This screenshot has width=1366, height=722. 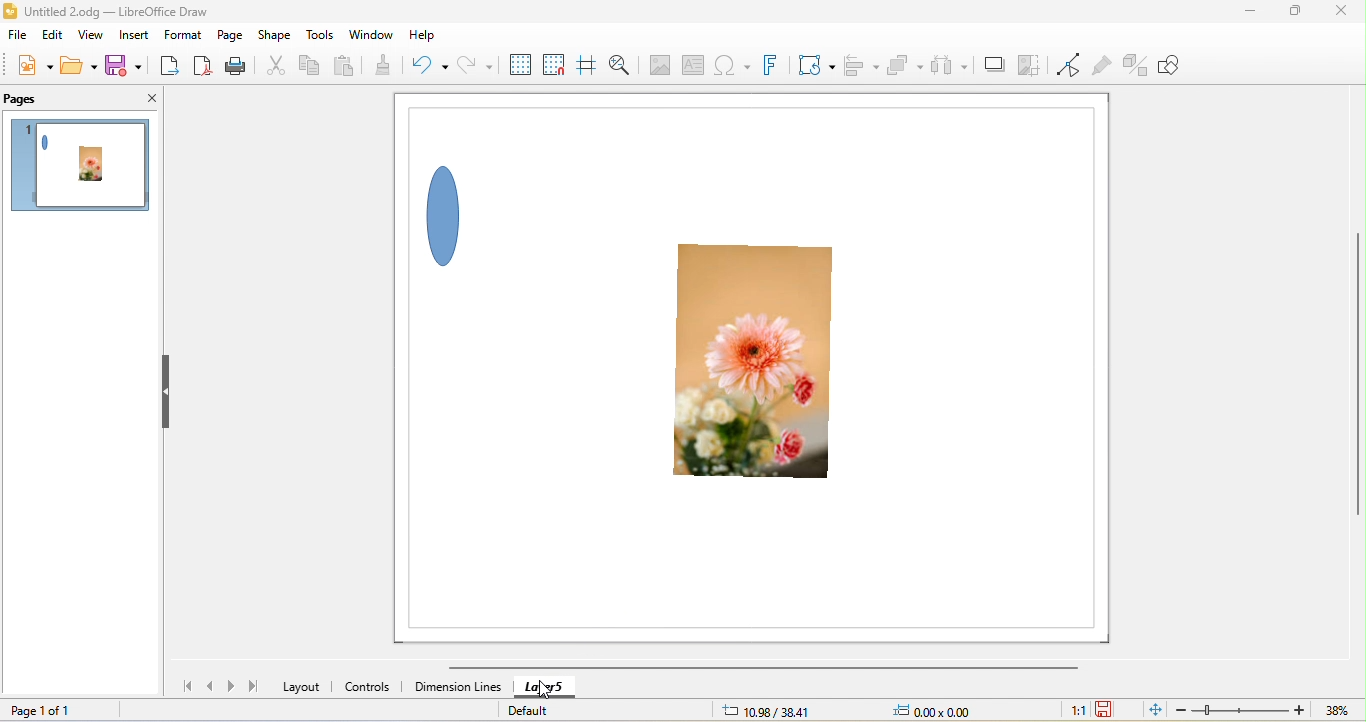 What do you see at coordinates (172, 64) in the screenshot?
I see `export` at bounding box center [172, 64].